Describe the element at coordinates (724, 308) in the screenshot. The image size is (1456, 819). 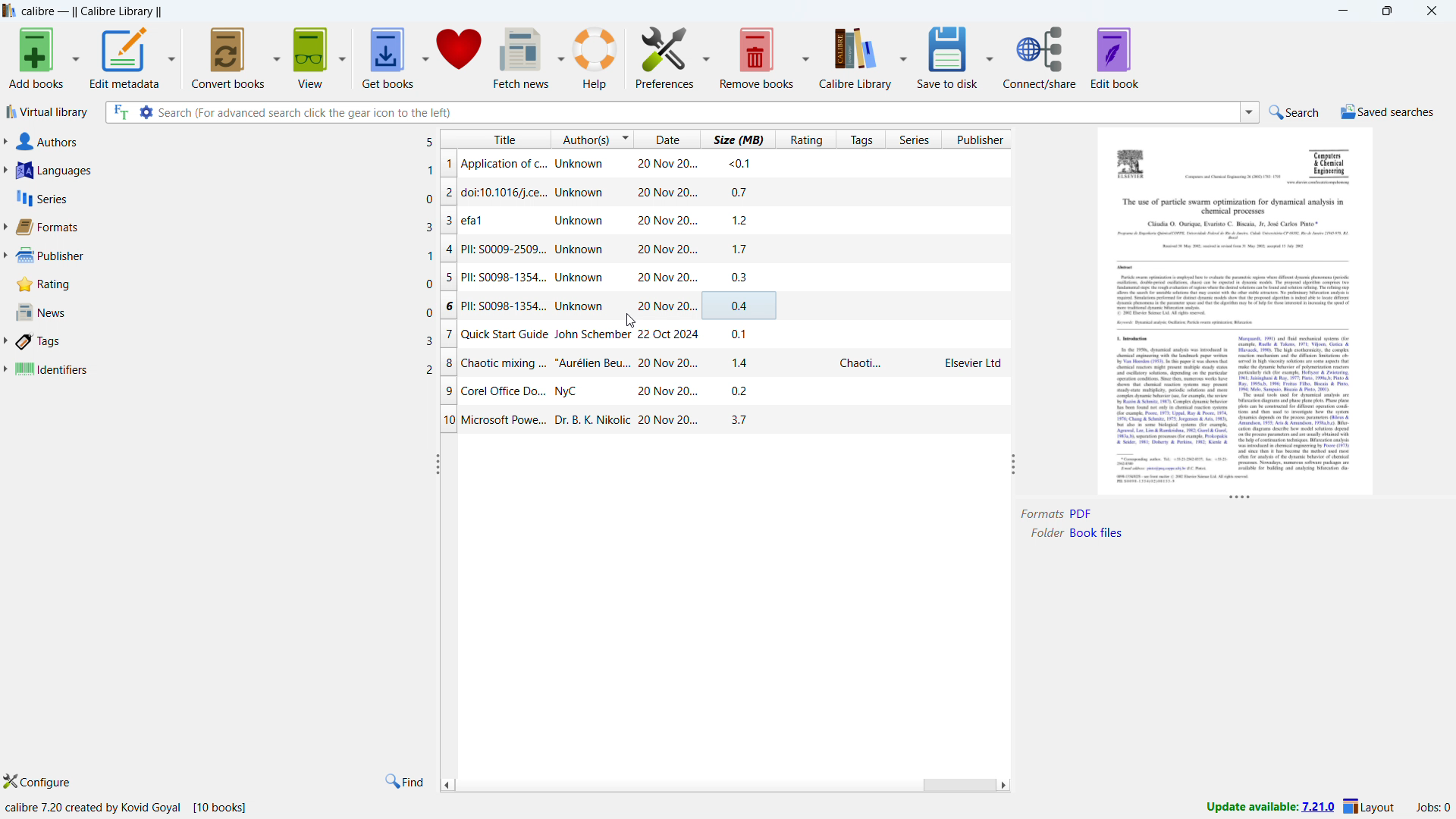
I see `PII: S0098-1354...` at that location.